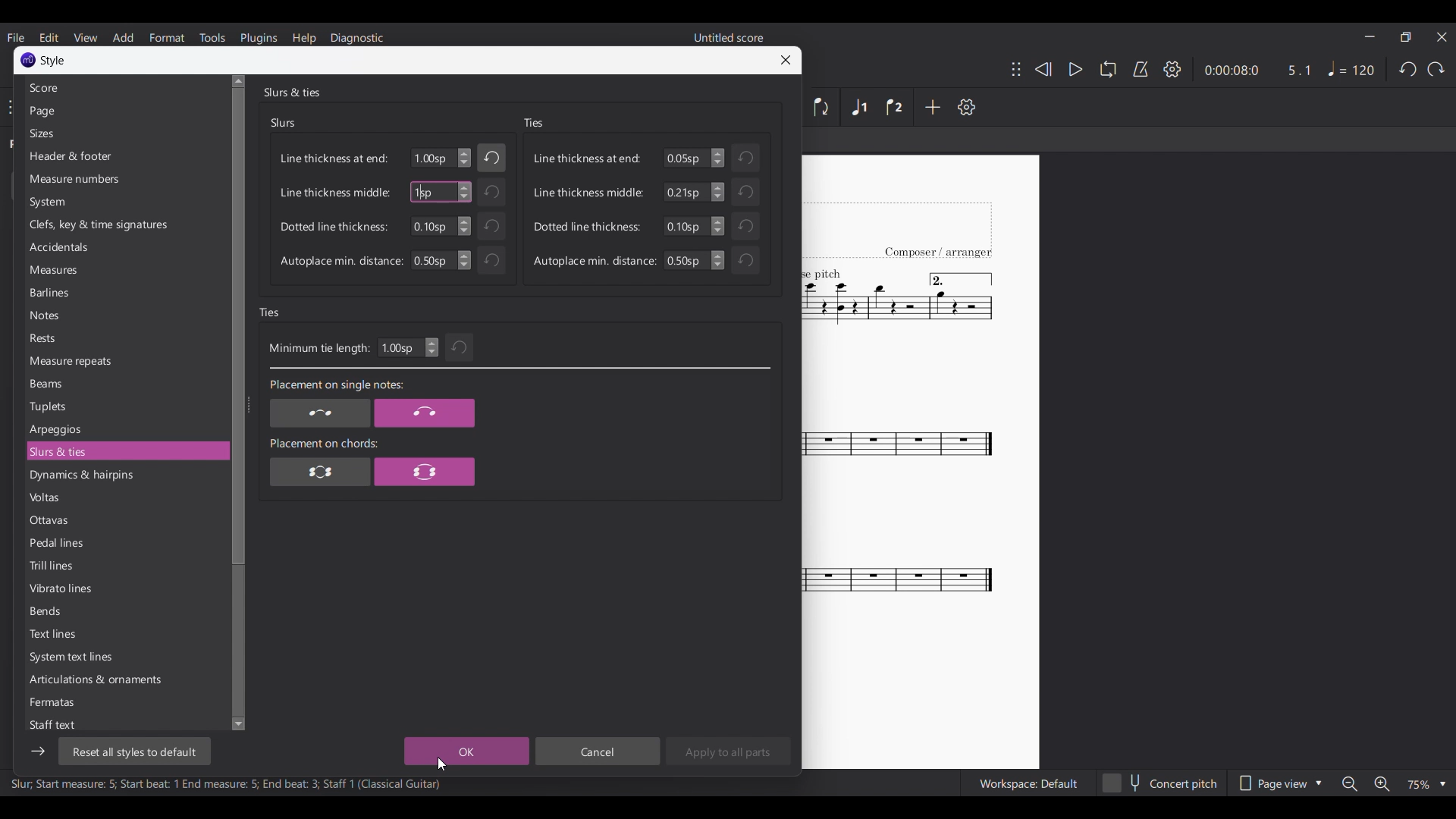 The image size is (1456, 819). Describe the element at coordinates (125, 225) in the screenshot. I see `Clefs, key & time signatures` at that location.